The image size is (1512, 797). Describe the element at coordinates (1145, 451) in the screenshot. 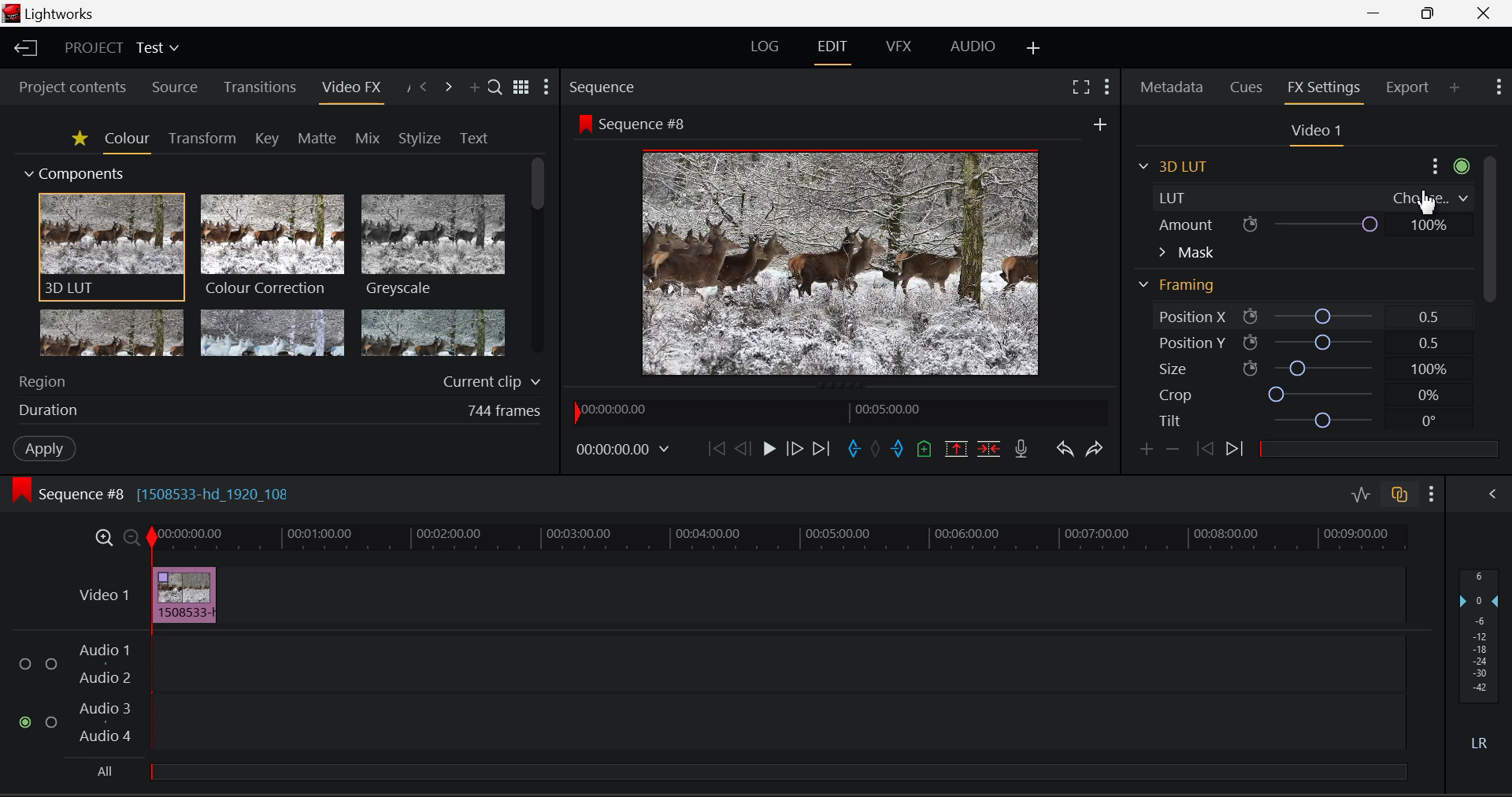

I see `Add keyframe` at that location.